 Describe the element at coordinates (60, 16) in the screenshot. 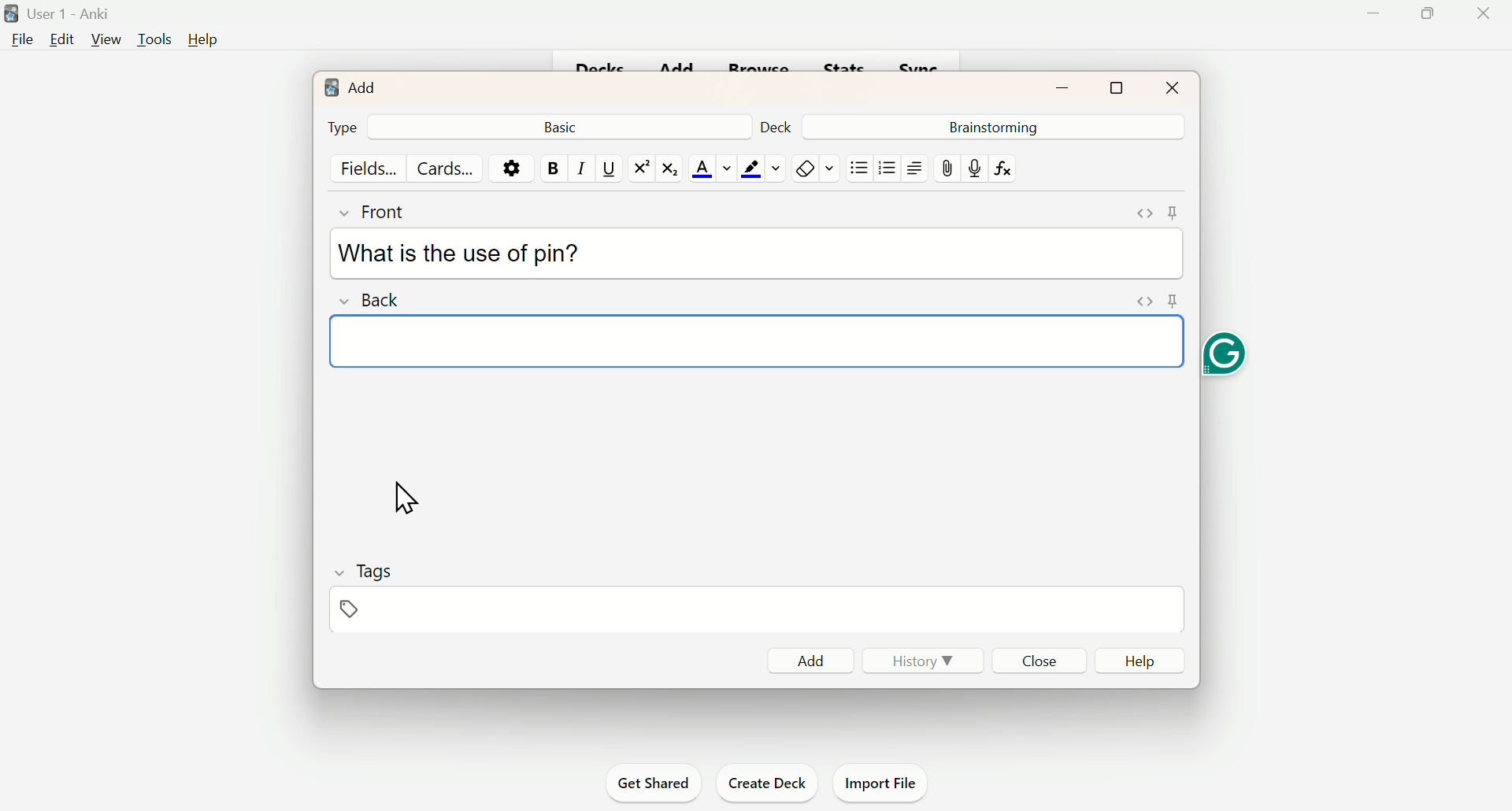

I see `User 1 - Anki` at that location.